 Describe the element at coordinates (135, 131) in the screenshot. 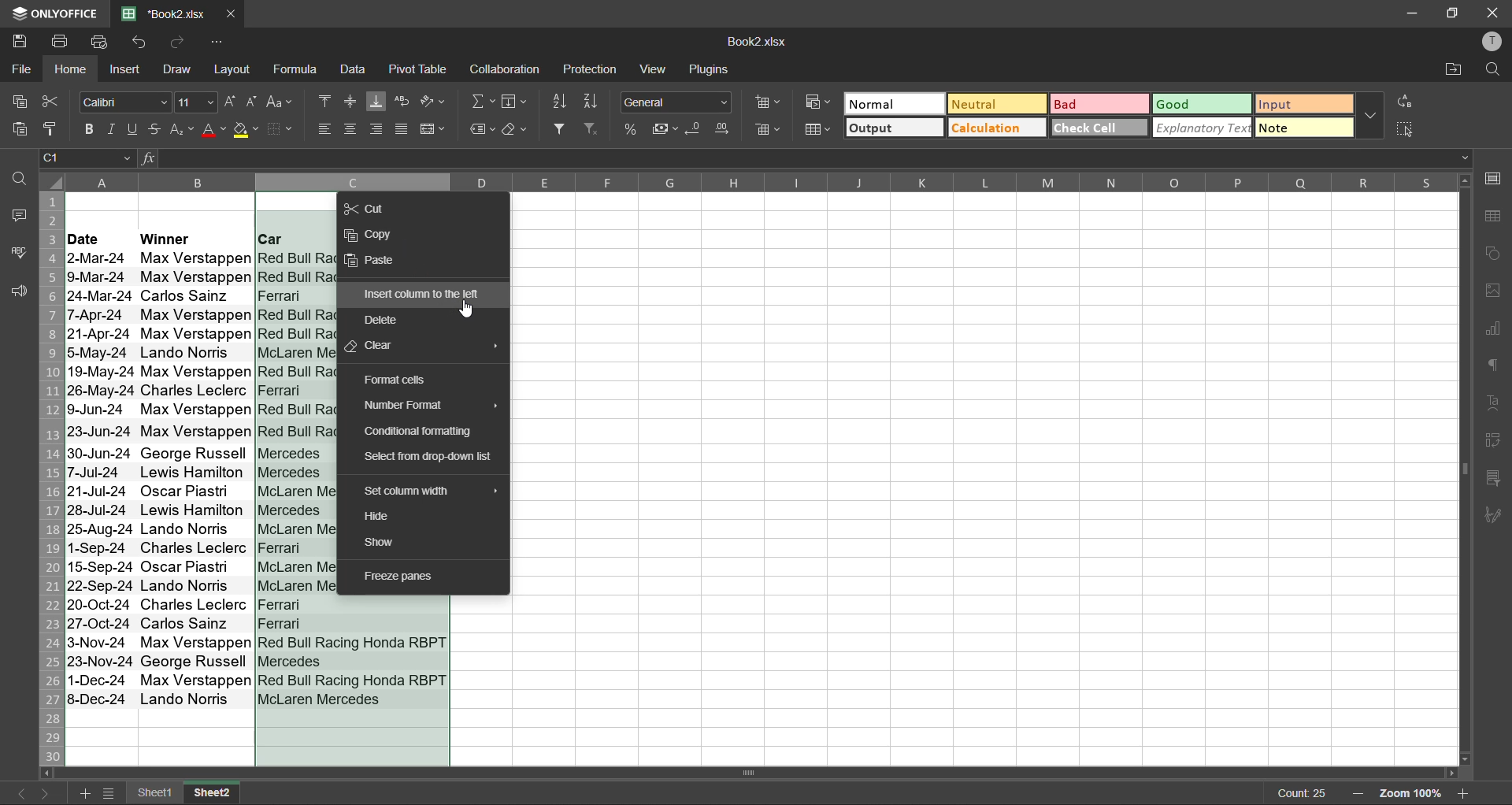

I see `underline` at that location.